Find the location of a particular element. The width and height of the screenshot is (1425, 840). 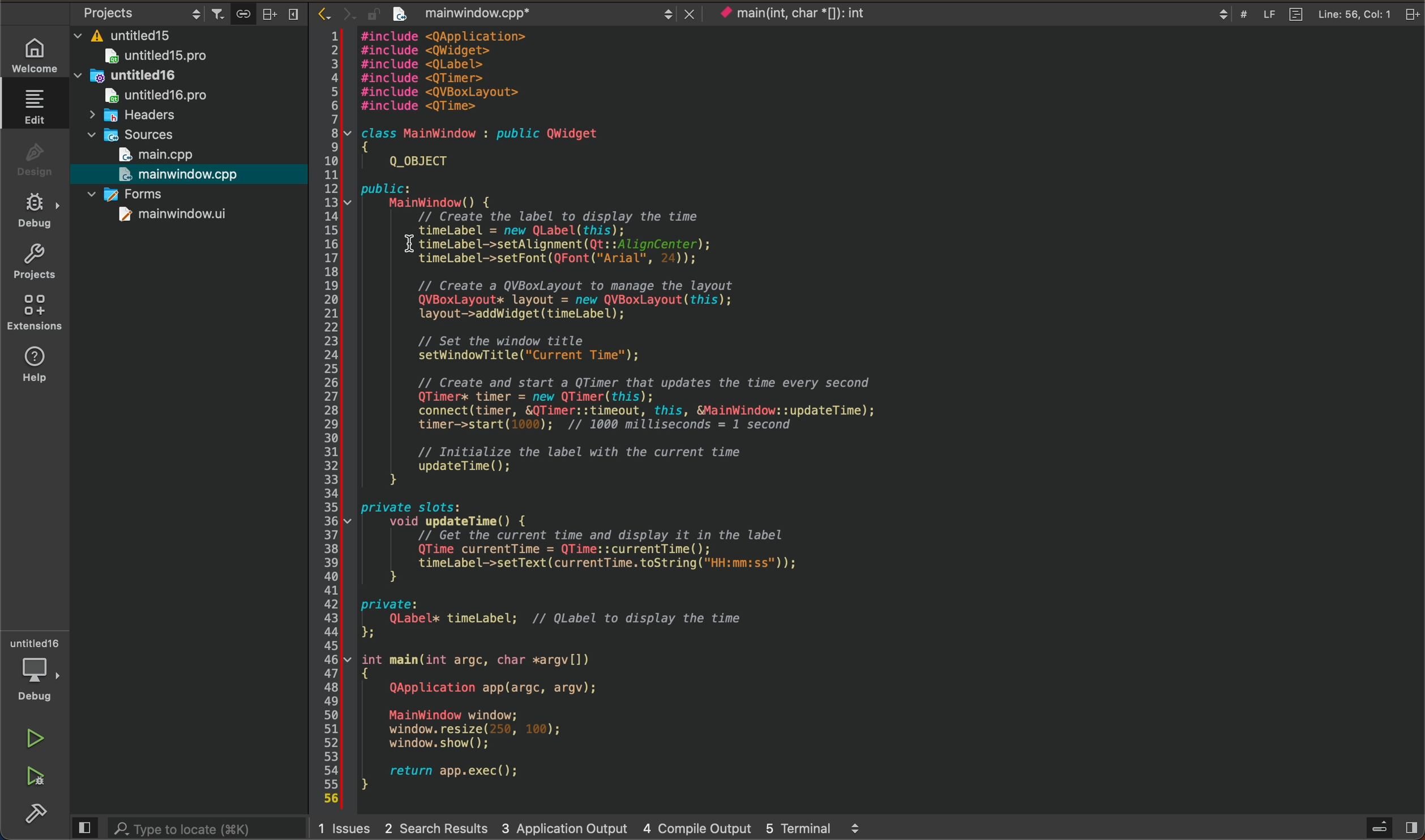

Menu is located at coordinates (292, 14).